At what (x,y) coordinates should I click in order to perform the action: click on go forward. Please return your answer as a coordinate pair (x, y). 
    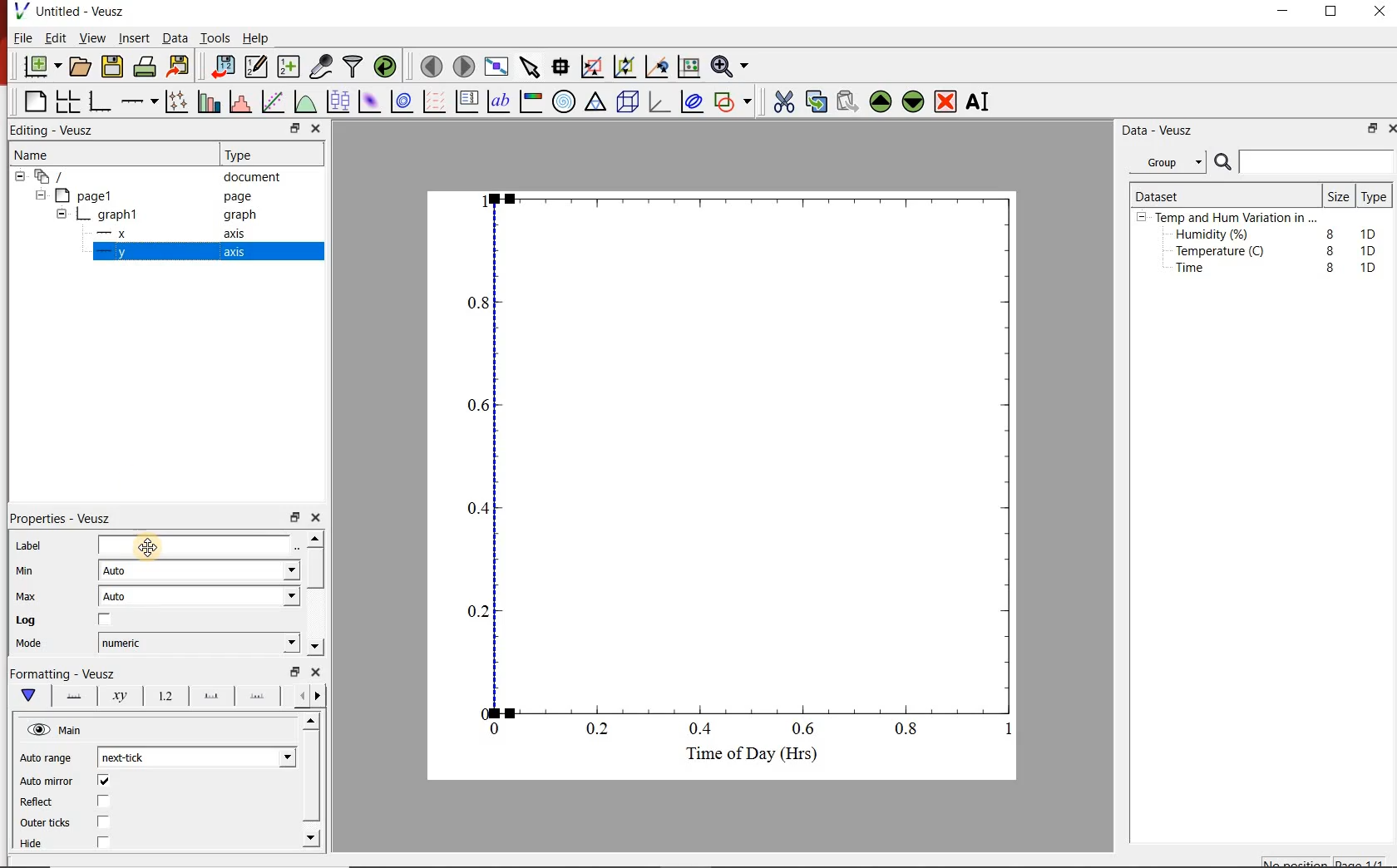
    Looking at the image, I should click on (321, 696).